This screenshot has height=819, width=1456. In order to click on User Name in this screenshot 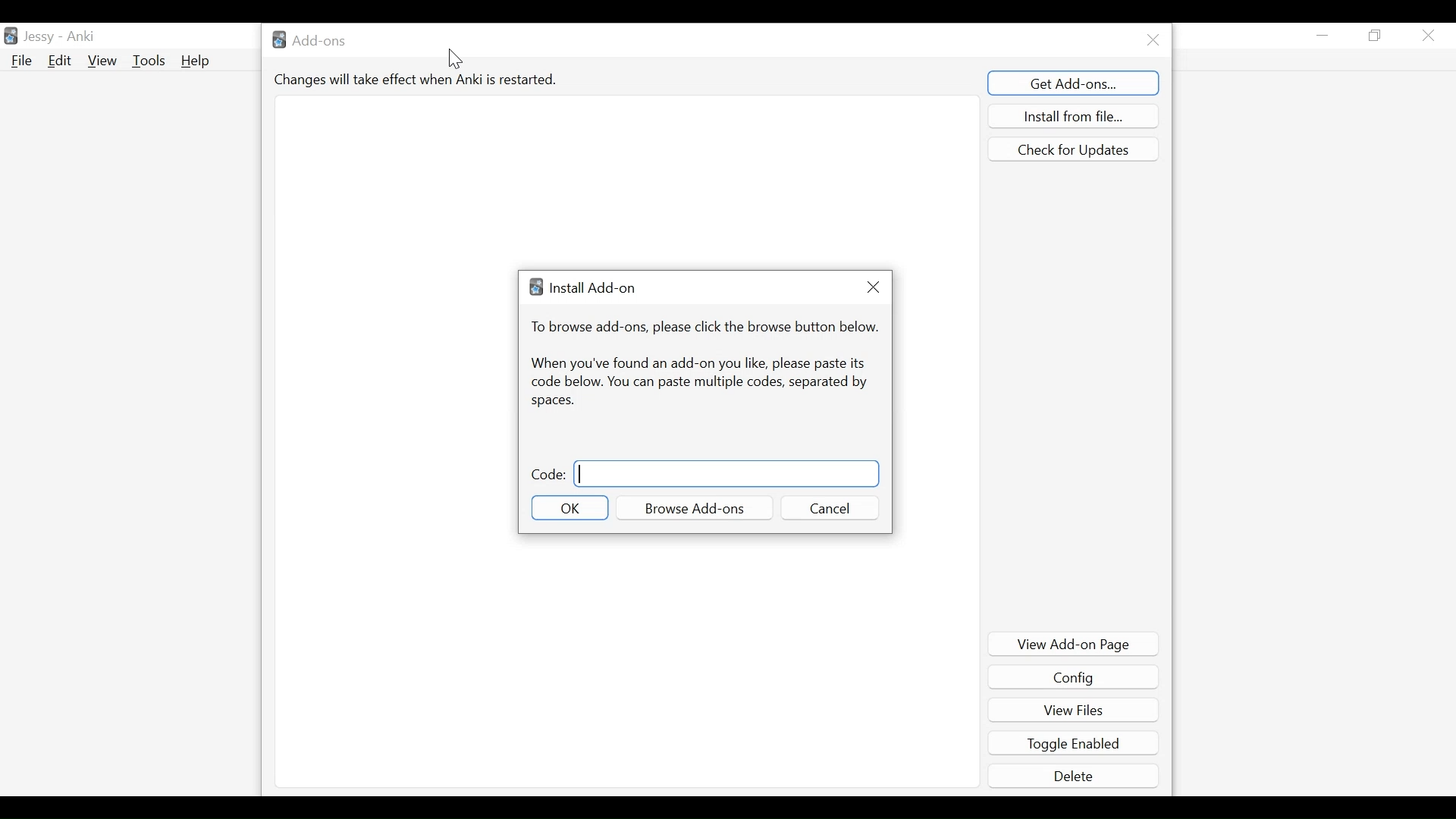, I will do `click(61, 35)`.